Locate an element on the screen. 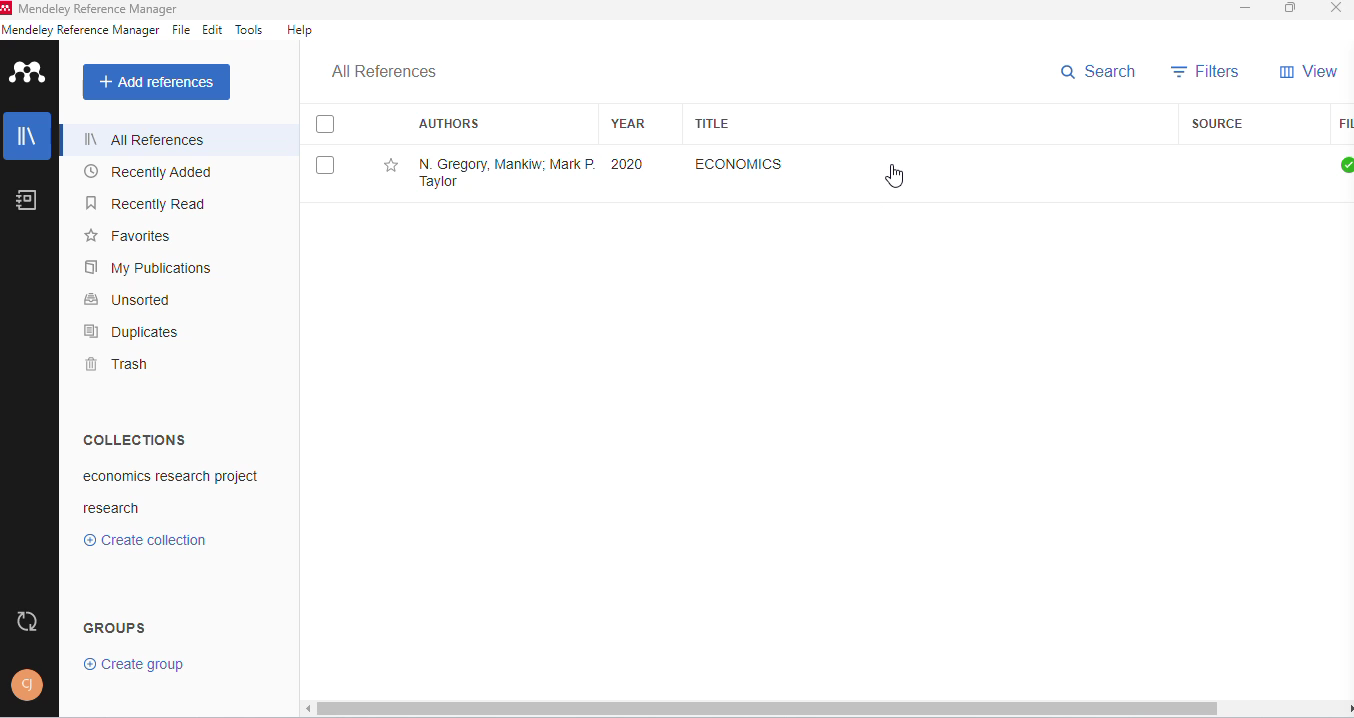  all references is located at coordinates (146, 139).